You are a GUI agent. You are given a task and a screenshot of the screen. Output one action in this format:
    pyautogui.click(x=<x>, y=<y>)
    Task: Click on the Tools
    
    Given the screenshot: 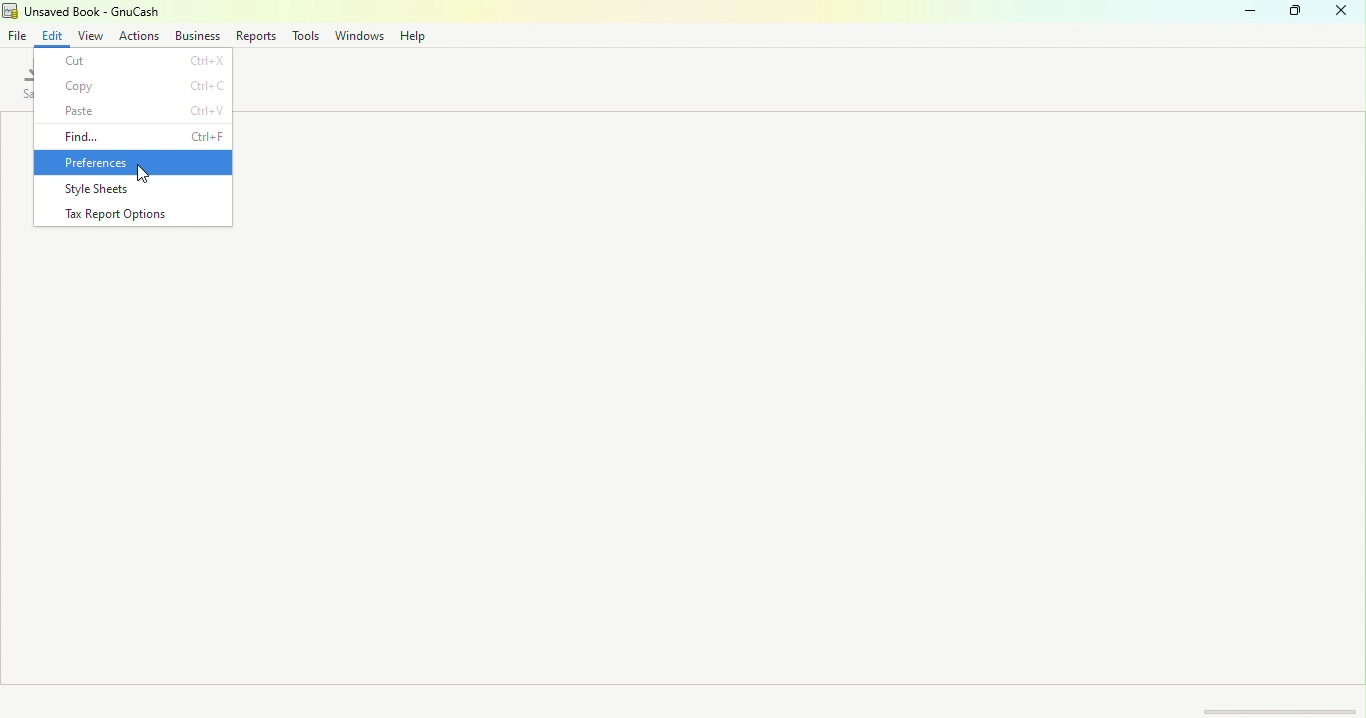 What is the action you would take?
    pyautogui.click(x=305, y=35)
    